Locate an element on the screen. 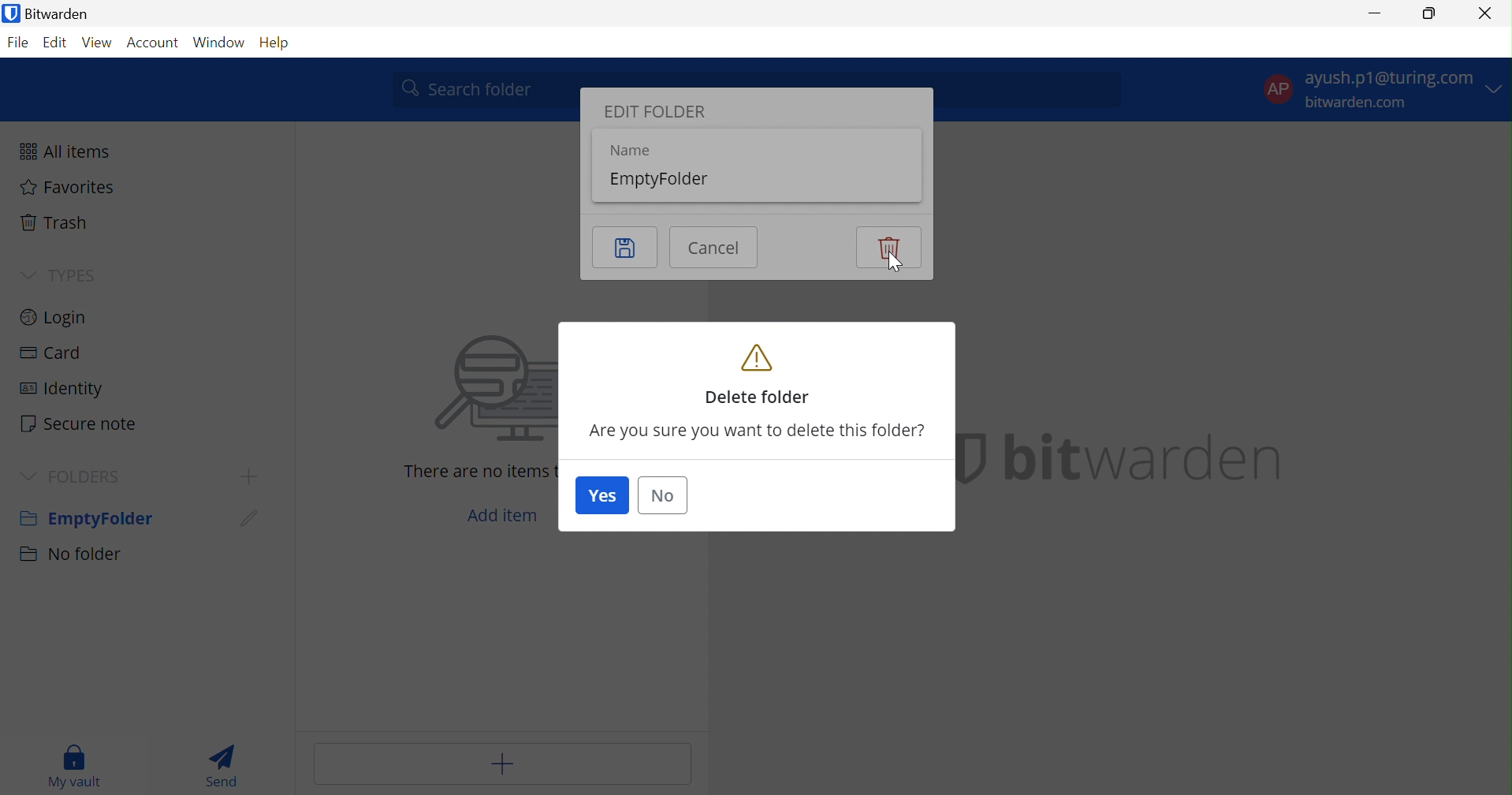  searching for file vector image is located at coordinates (470, 390).